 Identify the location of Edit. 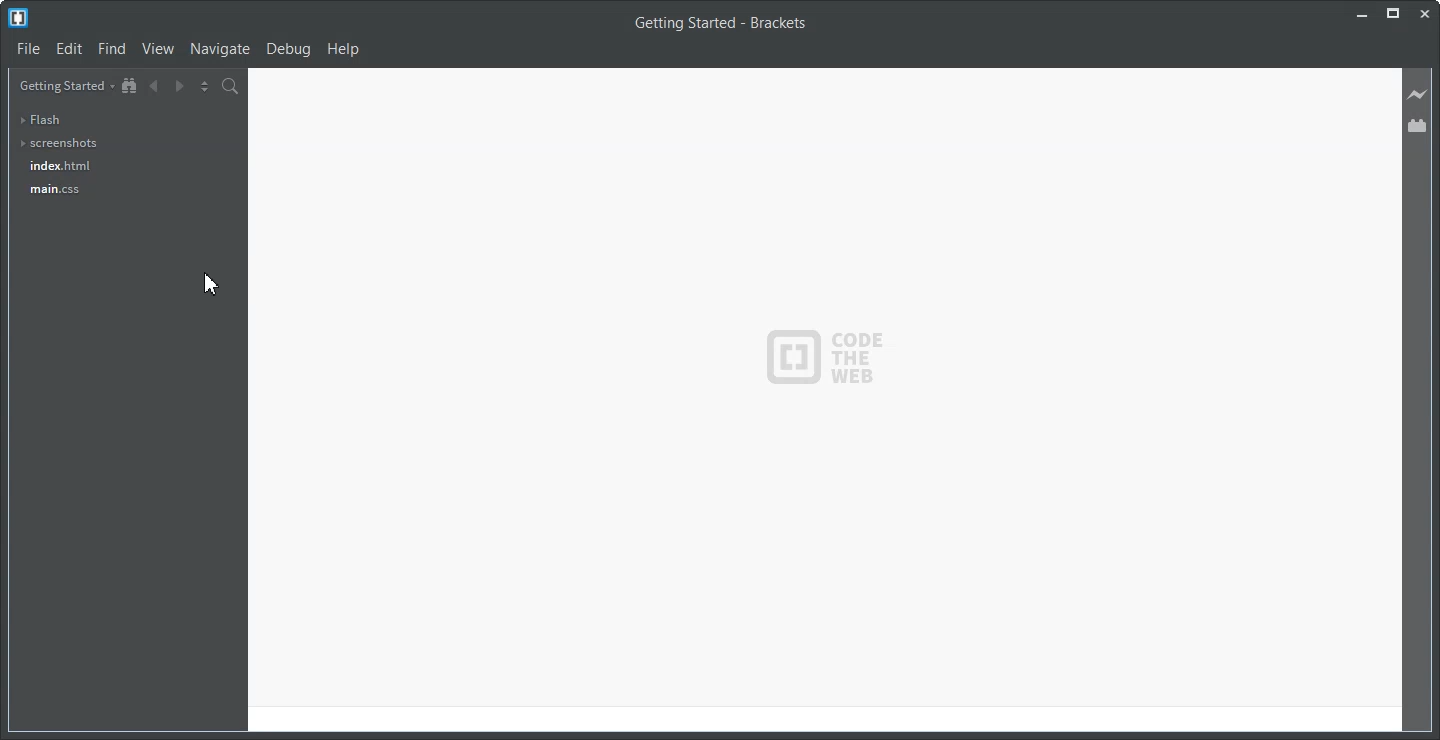
(70, 49).